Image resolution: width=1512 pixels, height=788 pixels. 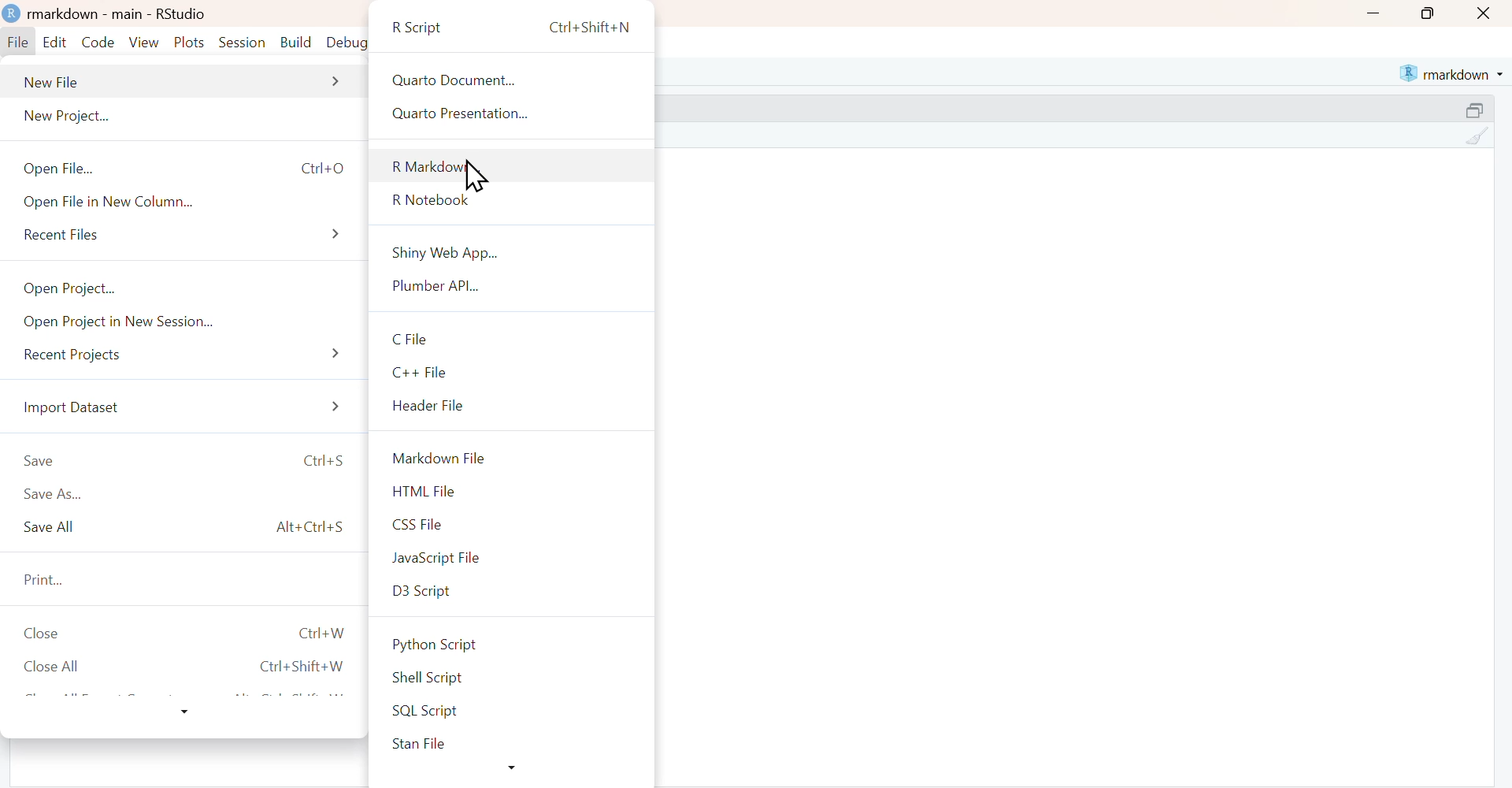 What do you see at coordinates (187, 579) in the screenshot?
I see `print` at bounding box center [187, 579].